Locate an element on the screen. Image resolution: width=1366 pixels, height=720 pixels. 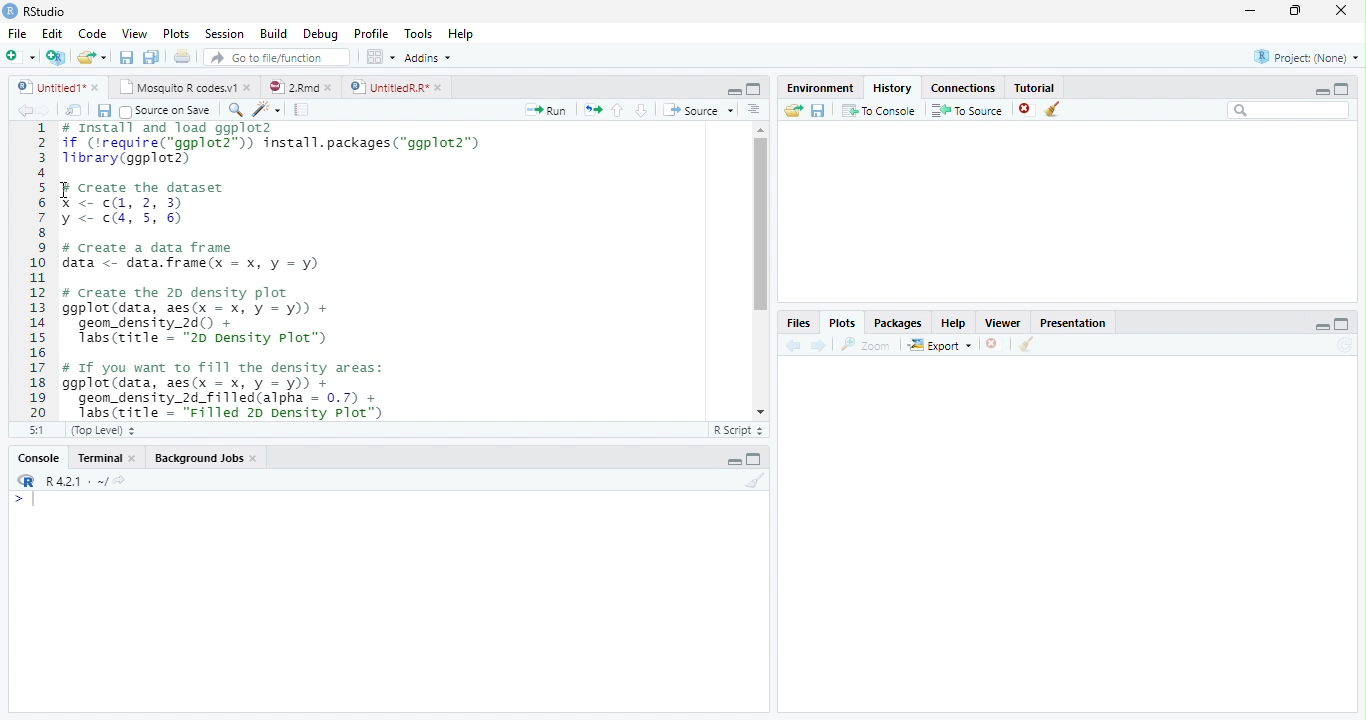
Build is located at coordinates (273, 33).